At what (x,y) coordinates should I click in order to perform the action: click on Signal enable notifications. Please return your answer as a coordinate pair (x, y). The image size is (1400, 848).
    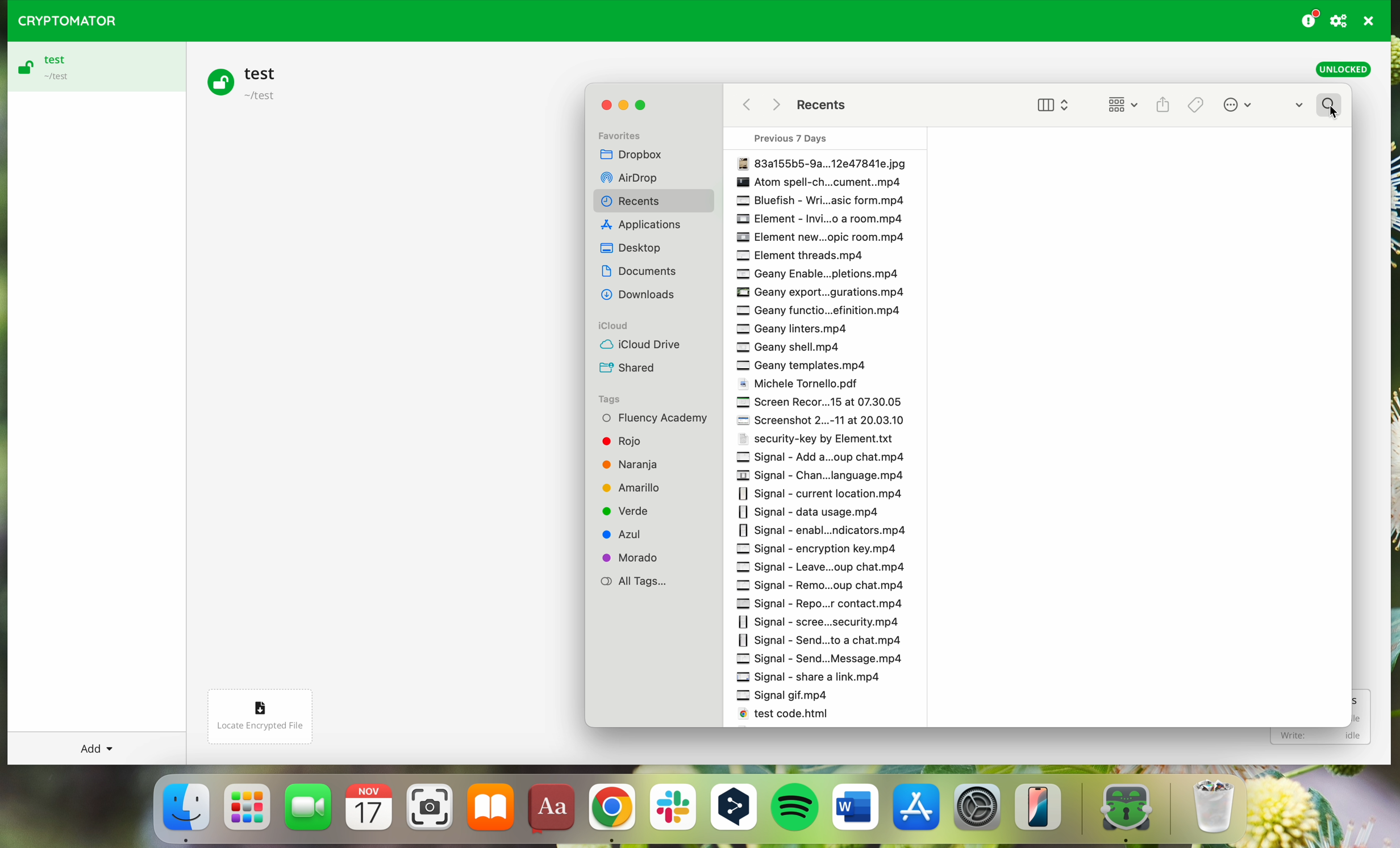
    Looking at the image, I should click on (823, 529).